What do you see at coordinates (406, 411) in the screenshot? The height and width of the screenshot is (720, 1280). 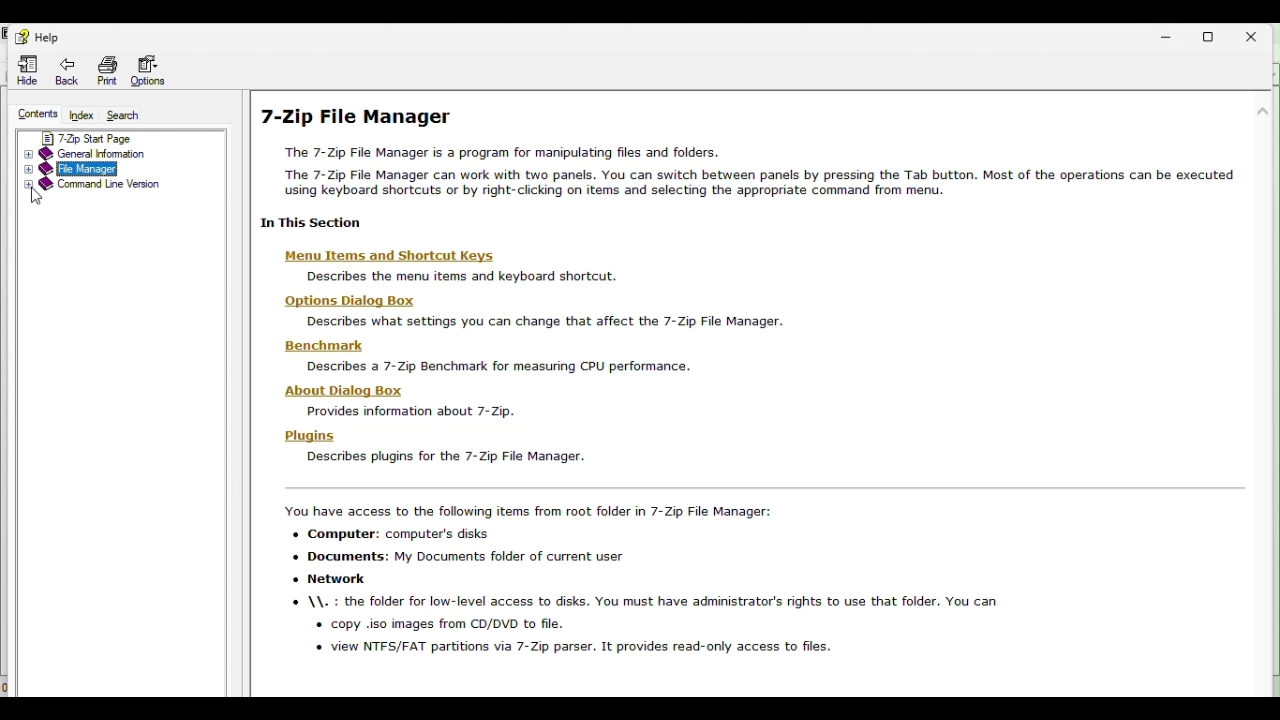 I see `Provides information about 7- Zip.` at bounding box center [406, 411].